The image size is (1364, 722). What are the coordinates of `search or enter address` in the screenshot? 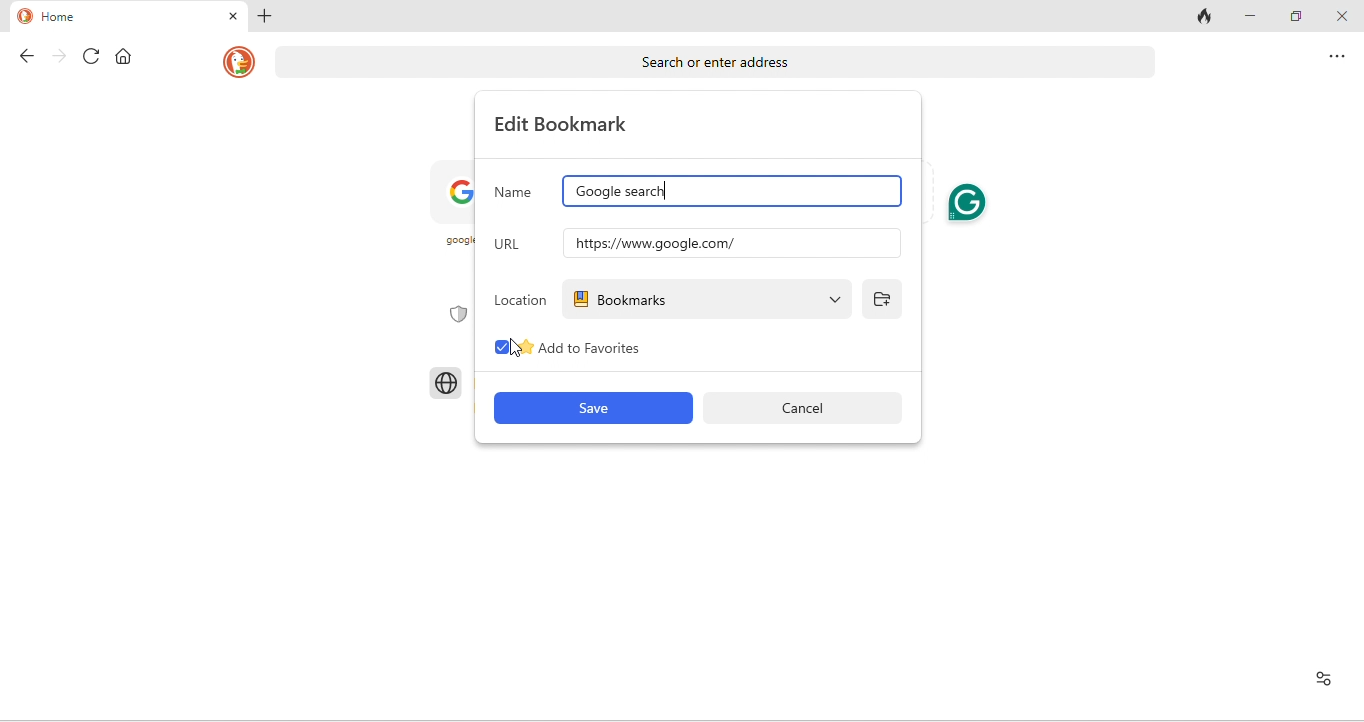 It's located at (714, 61).